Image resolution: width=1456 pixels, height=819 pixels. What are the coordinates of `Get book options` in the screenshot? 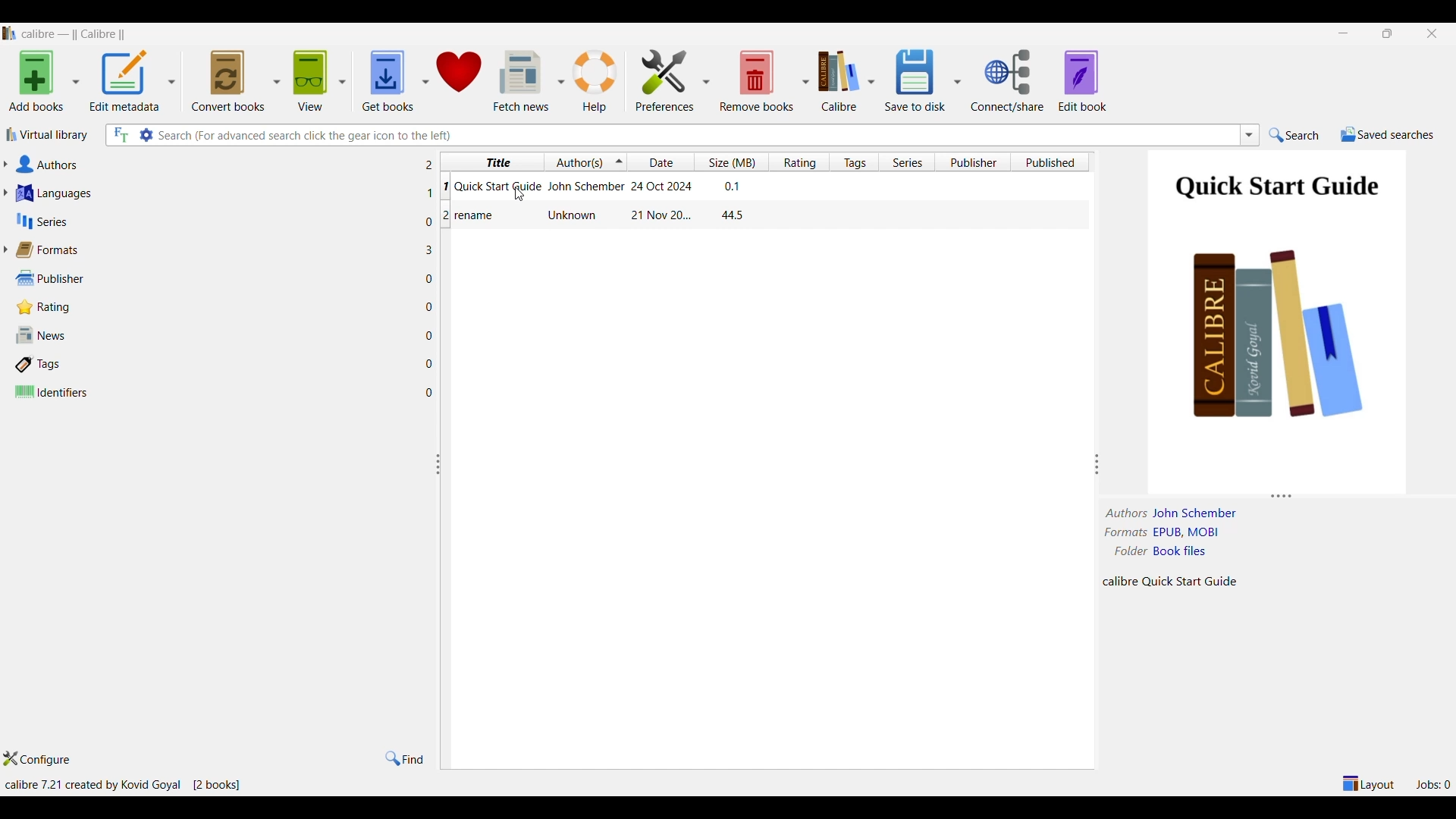 It's located at (424, 82).